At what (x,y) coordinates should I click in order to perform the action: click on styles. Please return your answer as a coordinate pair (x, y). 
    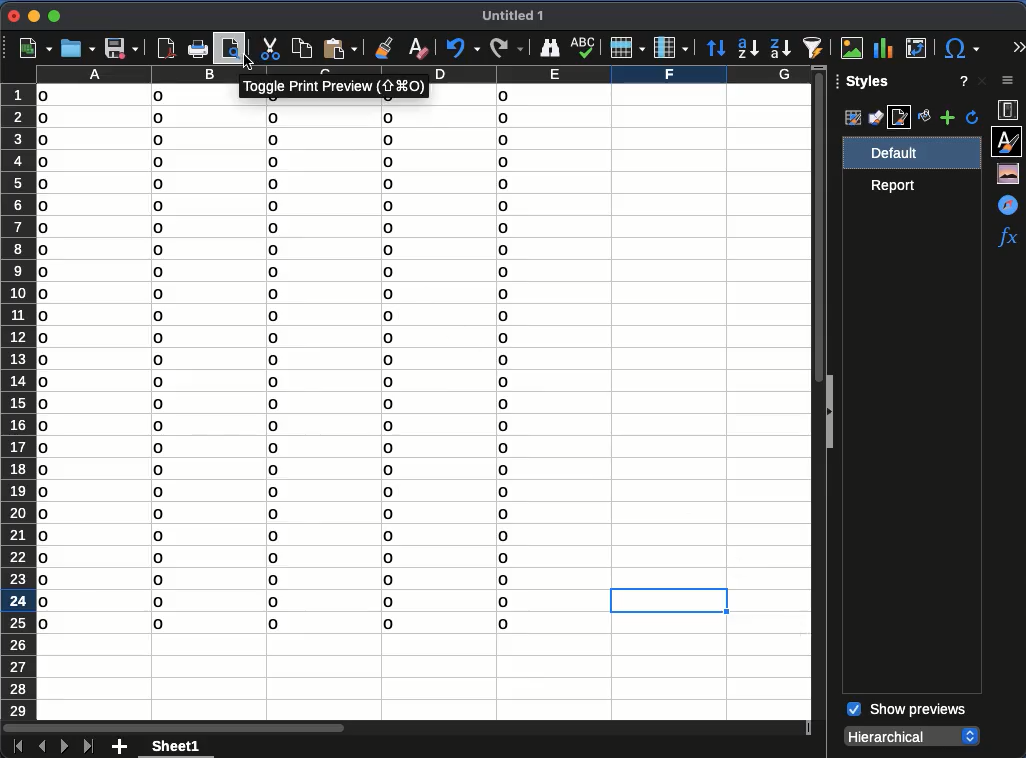
    Looking at the image, I should click on (1009, 140).